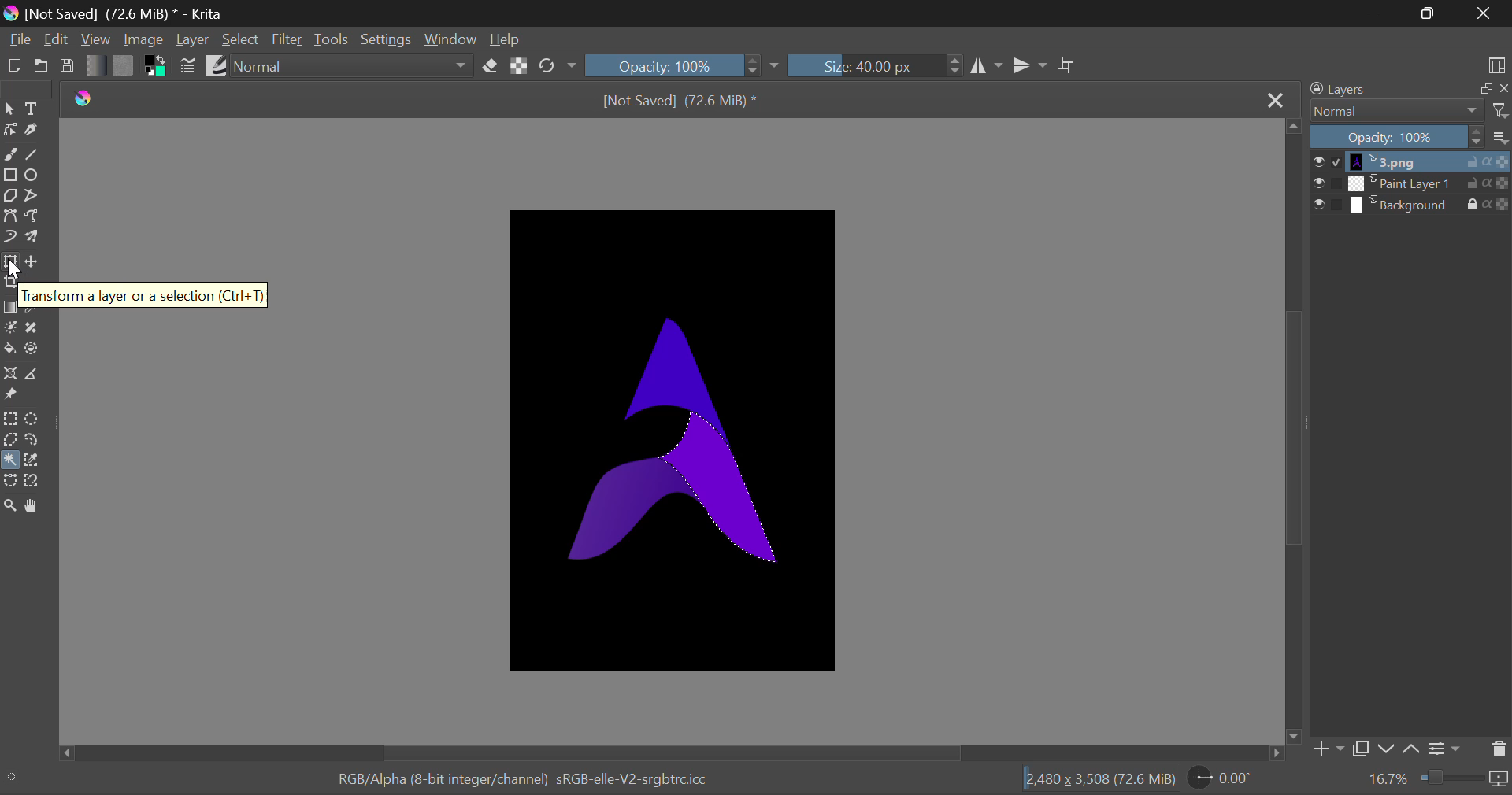 This screenshot has height=795, width=1512. What do you see at coordinates (9, 216) in the screenshot?
I see `Bezier Curve` at bounding box center [9, 216].